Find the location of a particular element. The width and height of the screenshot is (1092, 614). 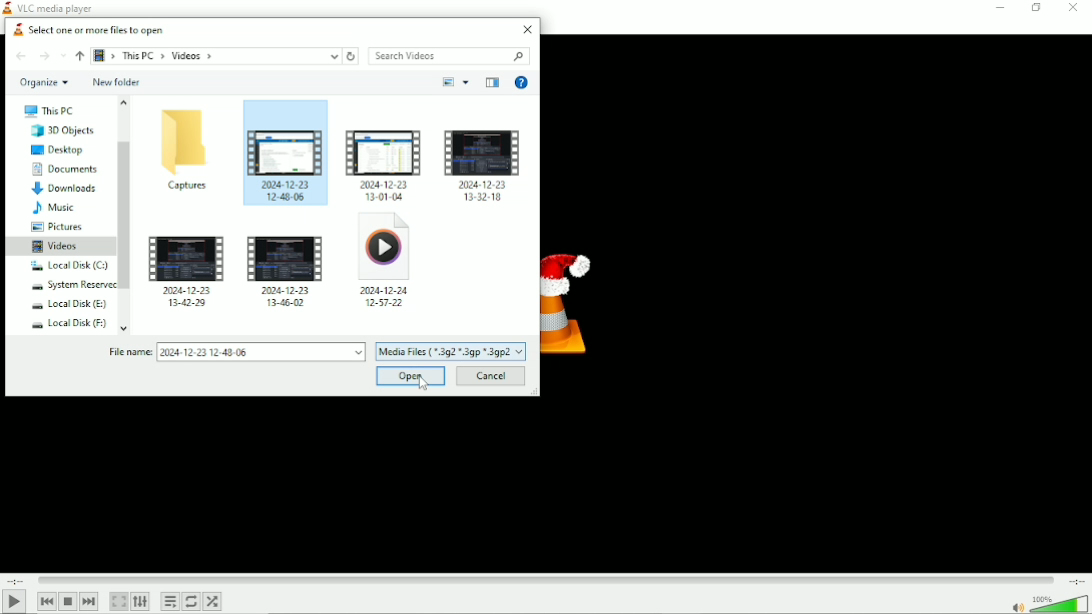

Back is located at coordinates (21, 56).